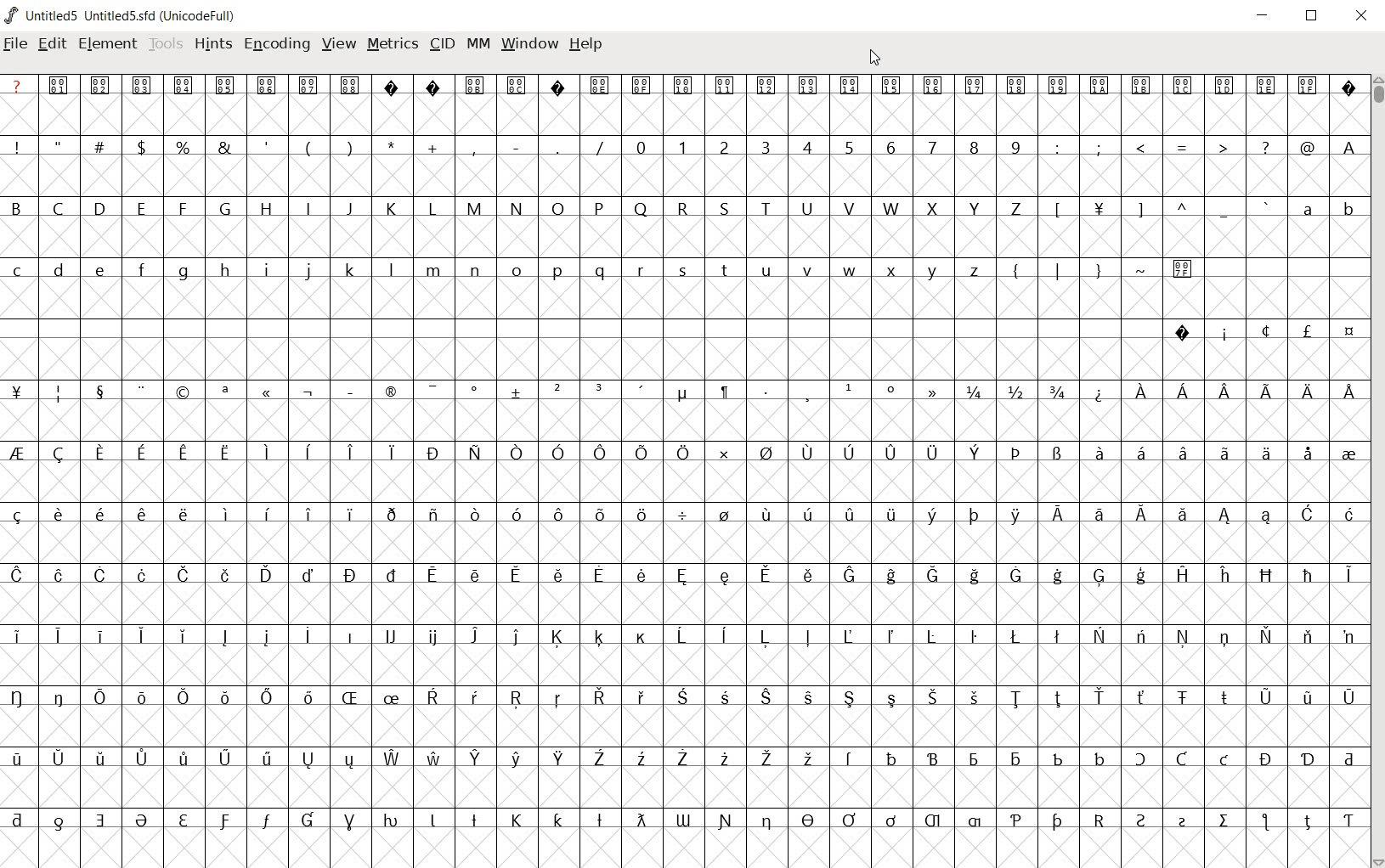 The height and width of the screenshot is (868, 1385). What do you see at coordinates (1308, 637) in the screenshot?
I see `Symbol` at bounding box center [1308, 637].